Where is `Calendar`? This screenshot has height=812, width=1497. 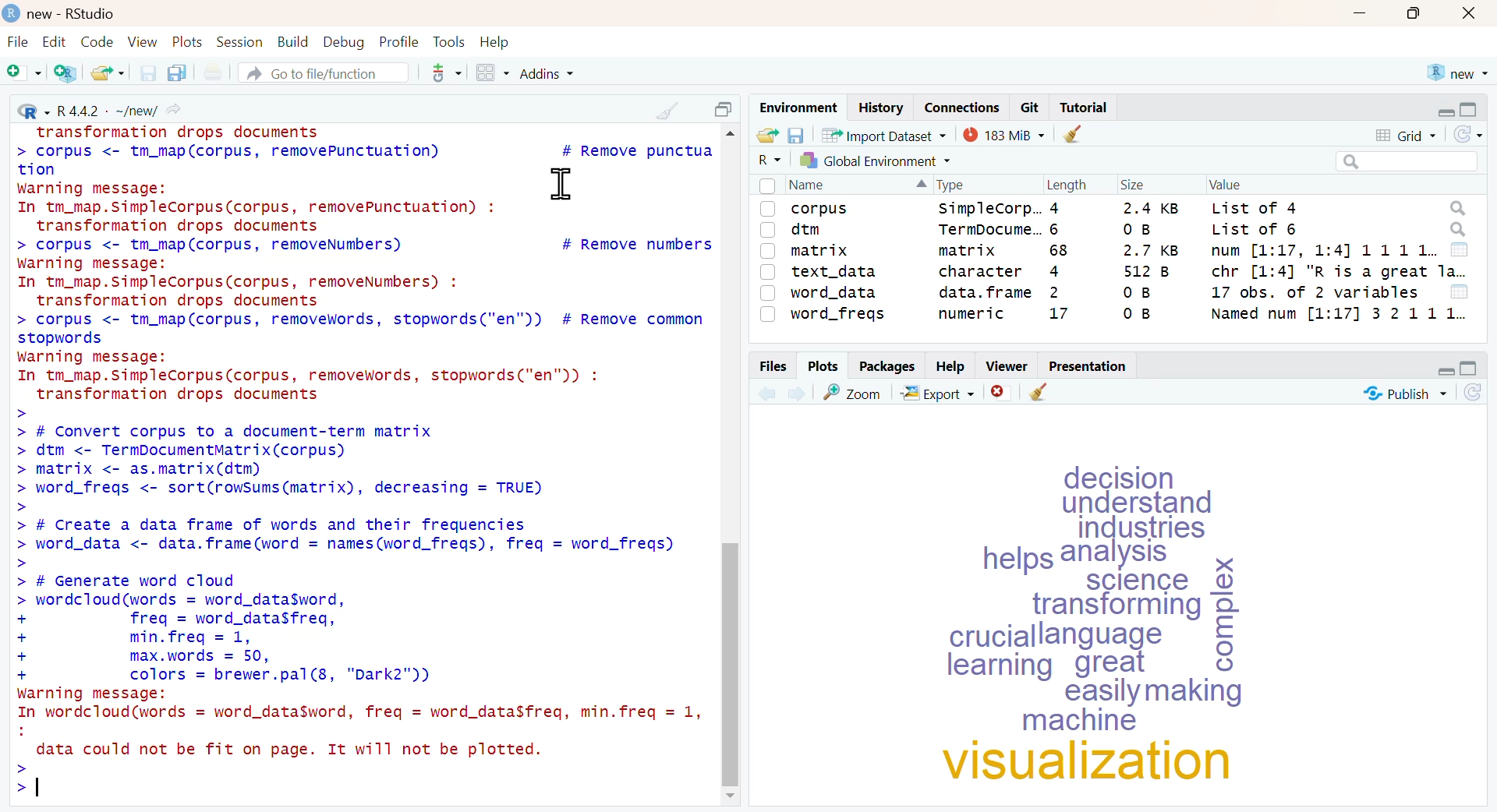
Calendar is located at coordinates (1460, 249).